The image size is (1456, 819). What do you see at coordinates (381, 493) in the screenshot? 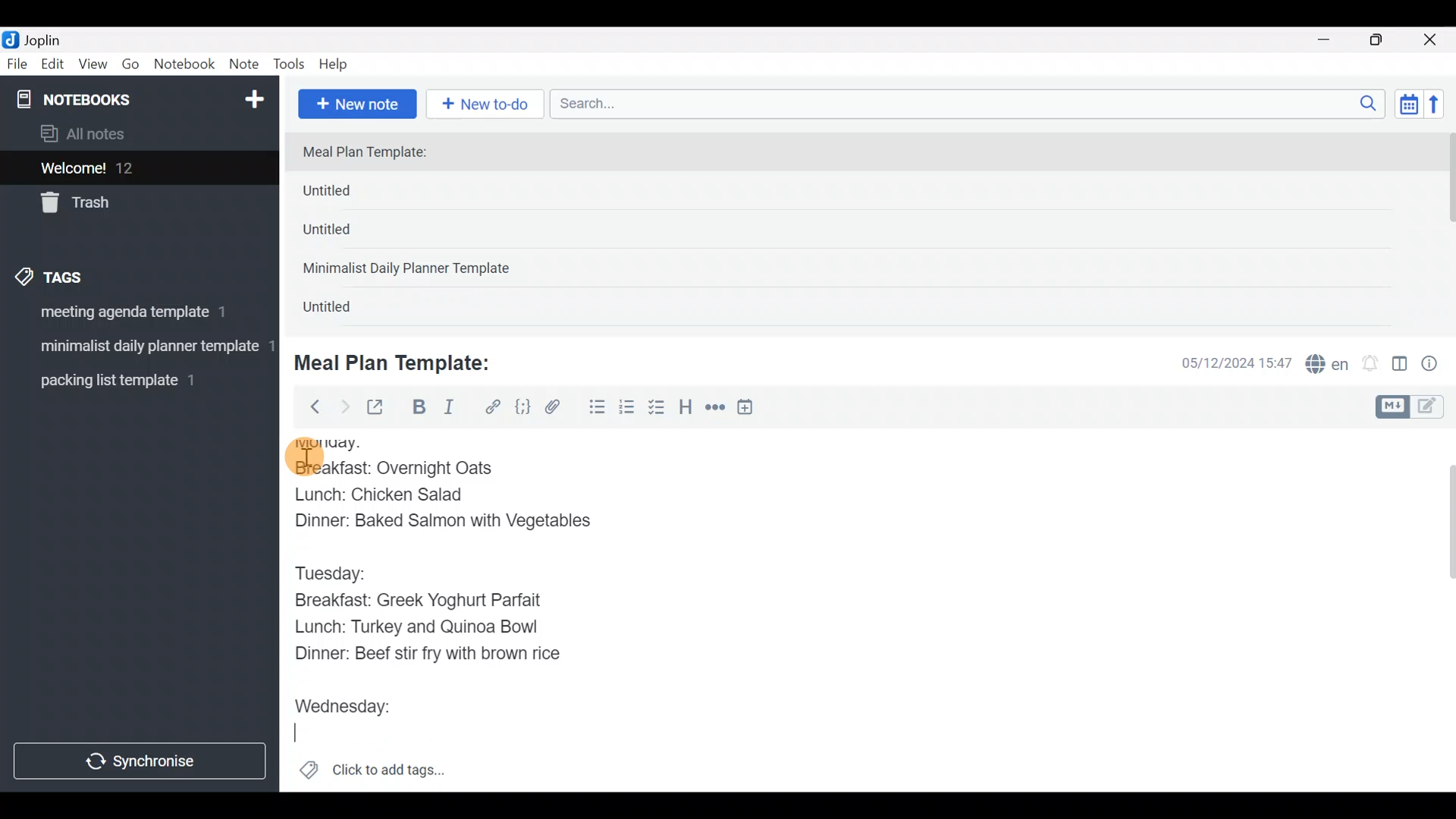
I see `Lunch: Chicken Salad` at bounding box center [381, 493].